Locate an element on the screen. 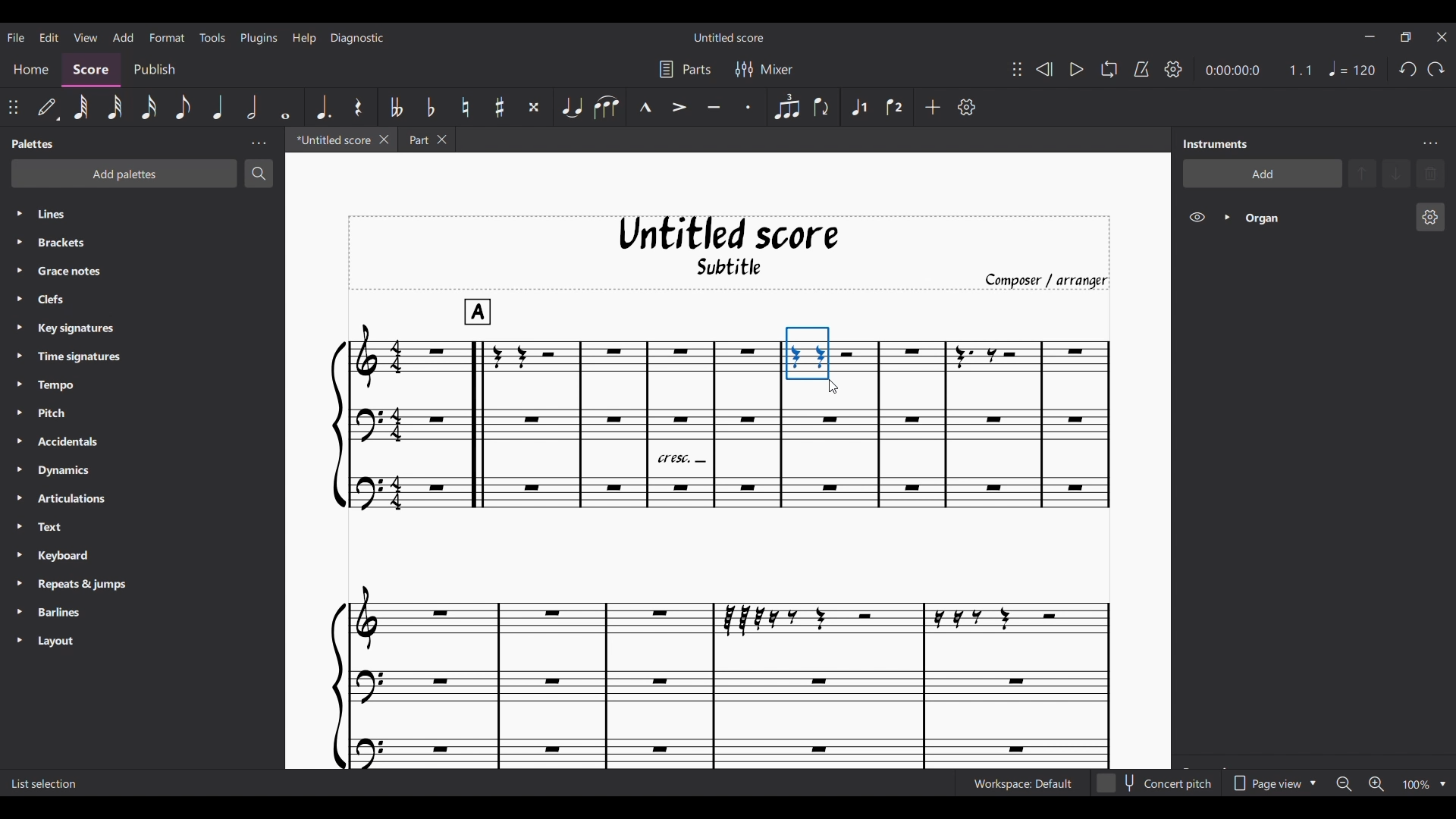 The image size is (1456, 819). Home section is located at coordinates (31, 68).